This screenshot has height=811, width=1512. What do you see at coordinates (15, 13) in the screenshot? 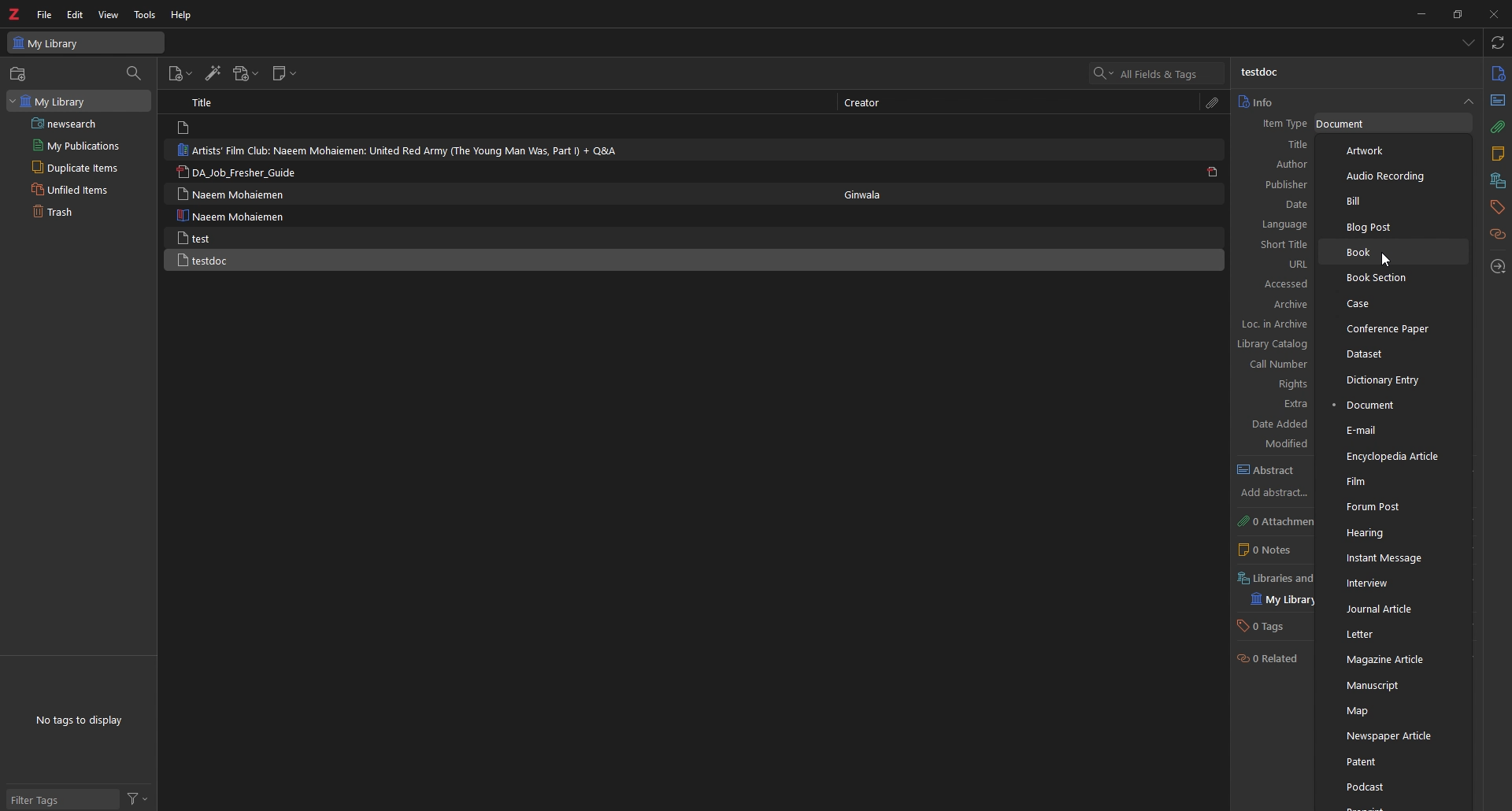
I see `logo` at bounding box center [15, 13].